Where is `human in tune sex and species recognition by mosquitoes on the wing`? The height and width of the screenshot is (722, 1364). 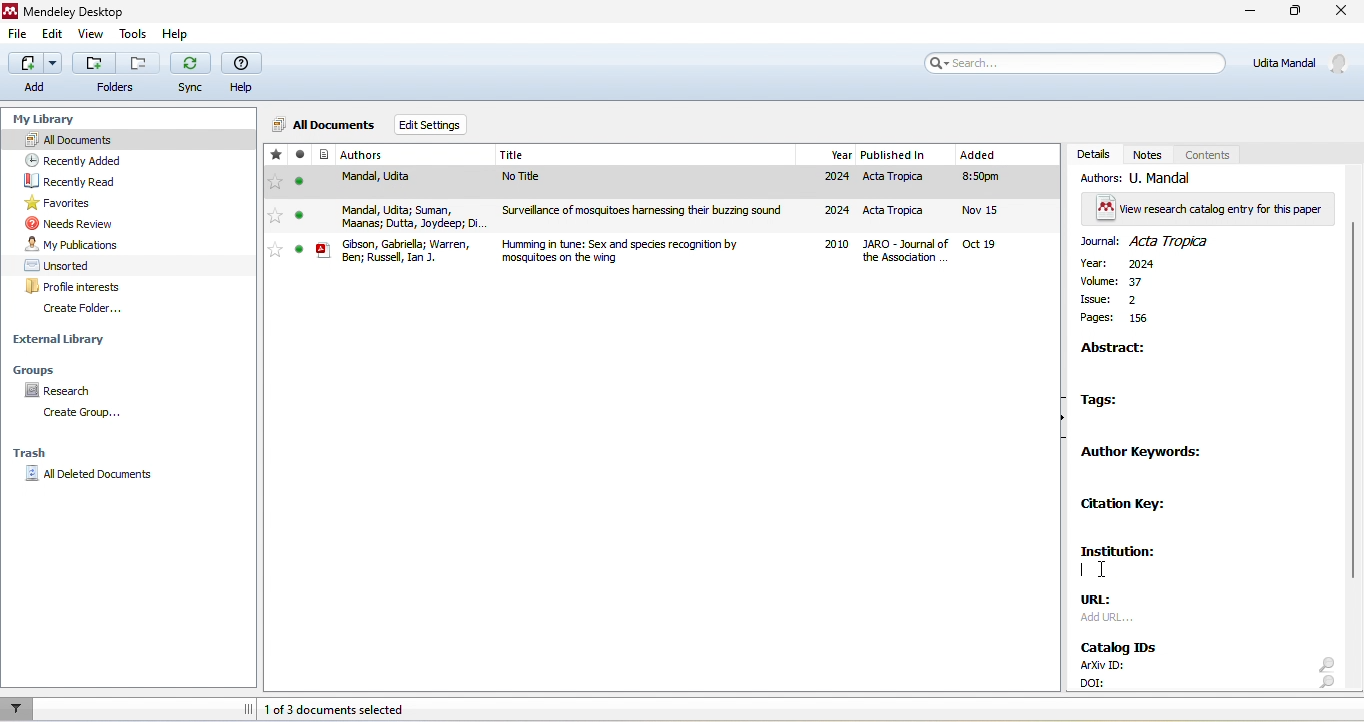 human in tune sex and species recognition by mosquitoes on the wing is located at coordinates (650, 250).